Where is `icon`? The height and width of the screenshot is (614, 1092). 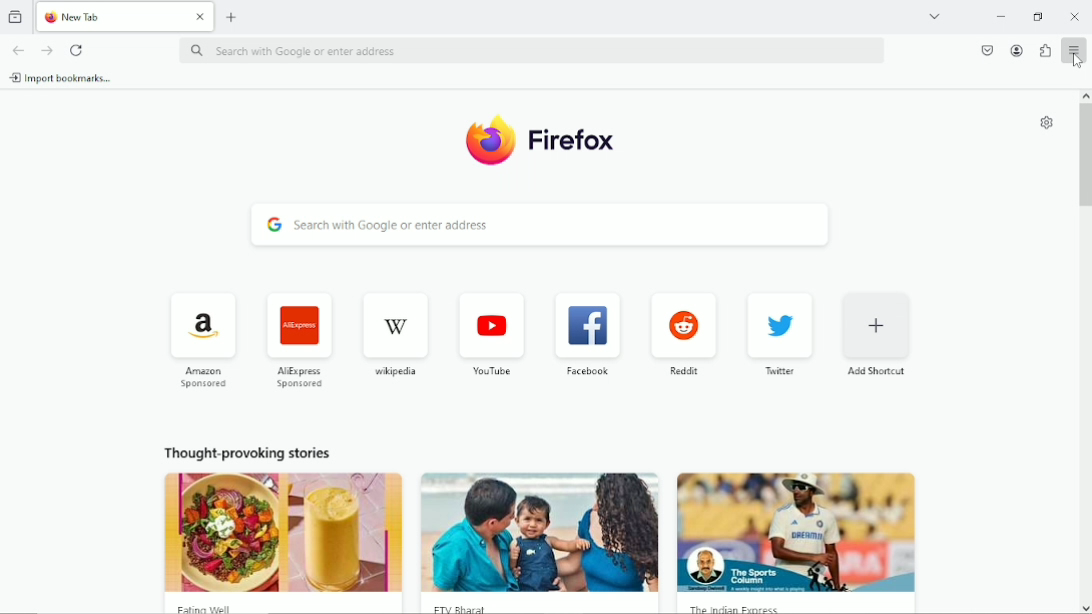 icon is located at coordinates (684, 325).